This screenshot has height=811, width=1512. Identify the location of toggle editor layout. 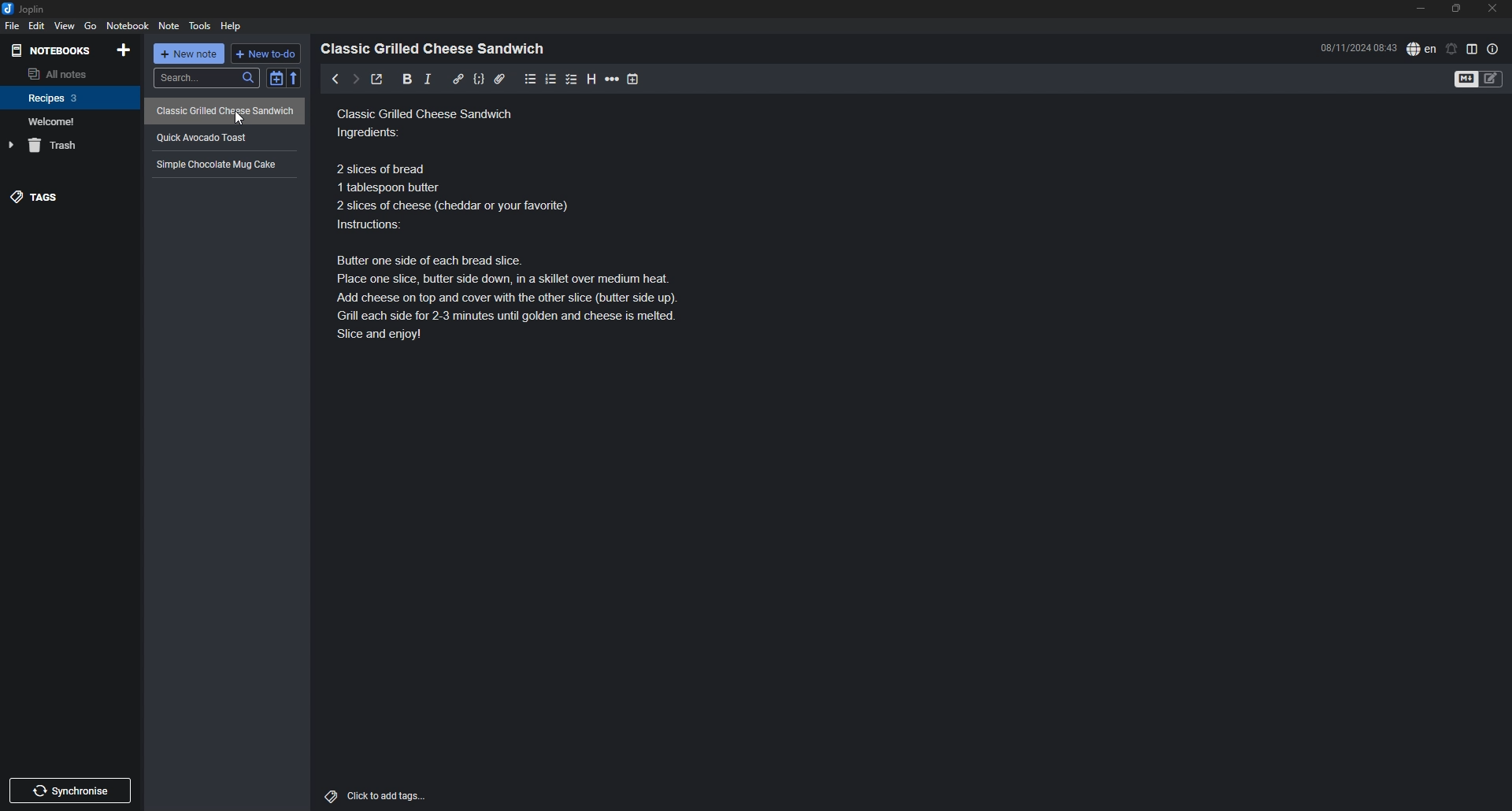
(1473, 49).